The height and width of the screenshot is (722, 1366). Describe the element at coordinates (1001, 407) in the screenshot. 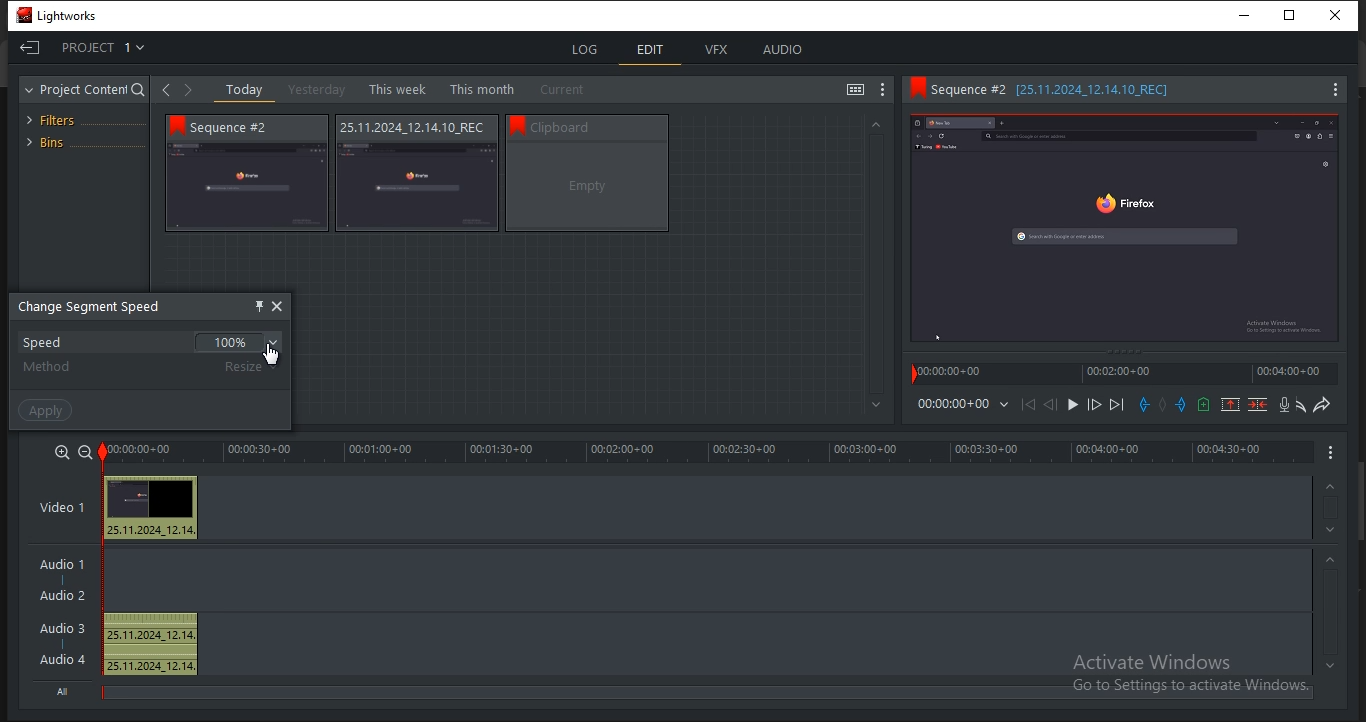

I see `Dropdown` at that location.